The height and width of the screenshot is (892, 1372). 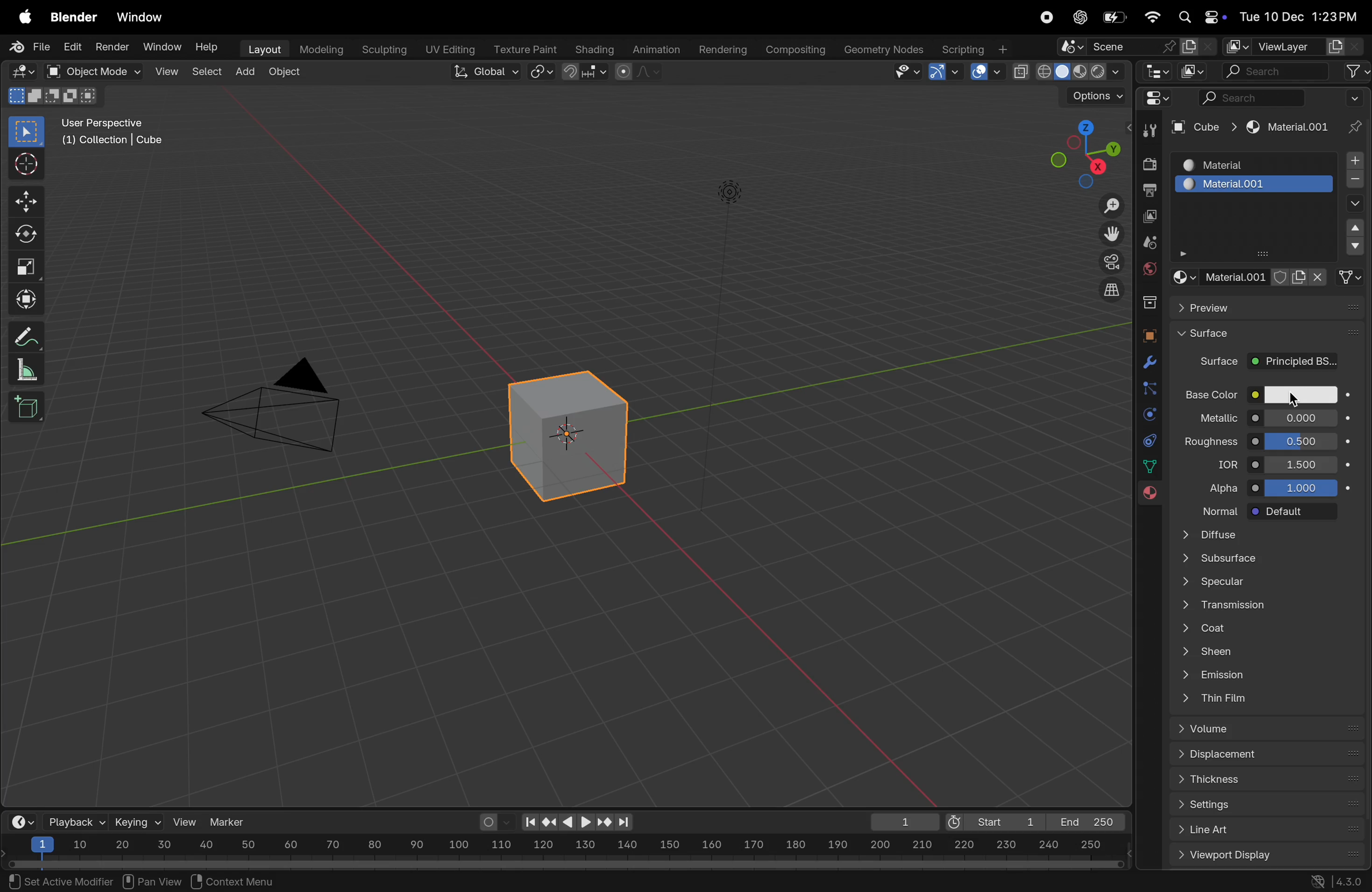 What do you see at coordinates (69, 48) in the screenshot?
I see `edit` at bounding box center [69, 48].